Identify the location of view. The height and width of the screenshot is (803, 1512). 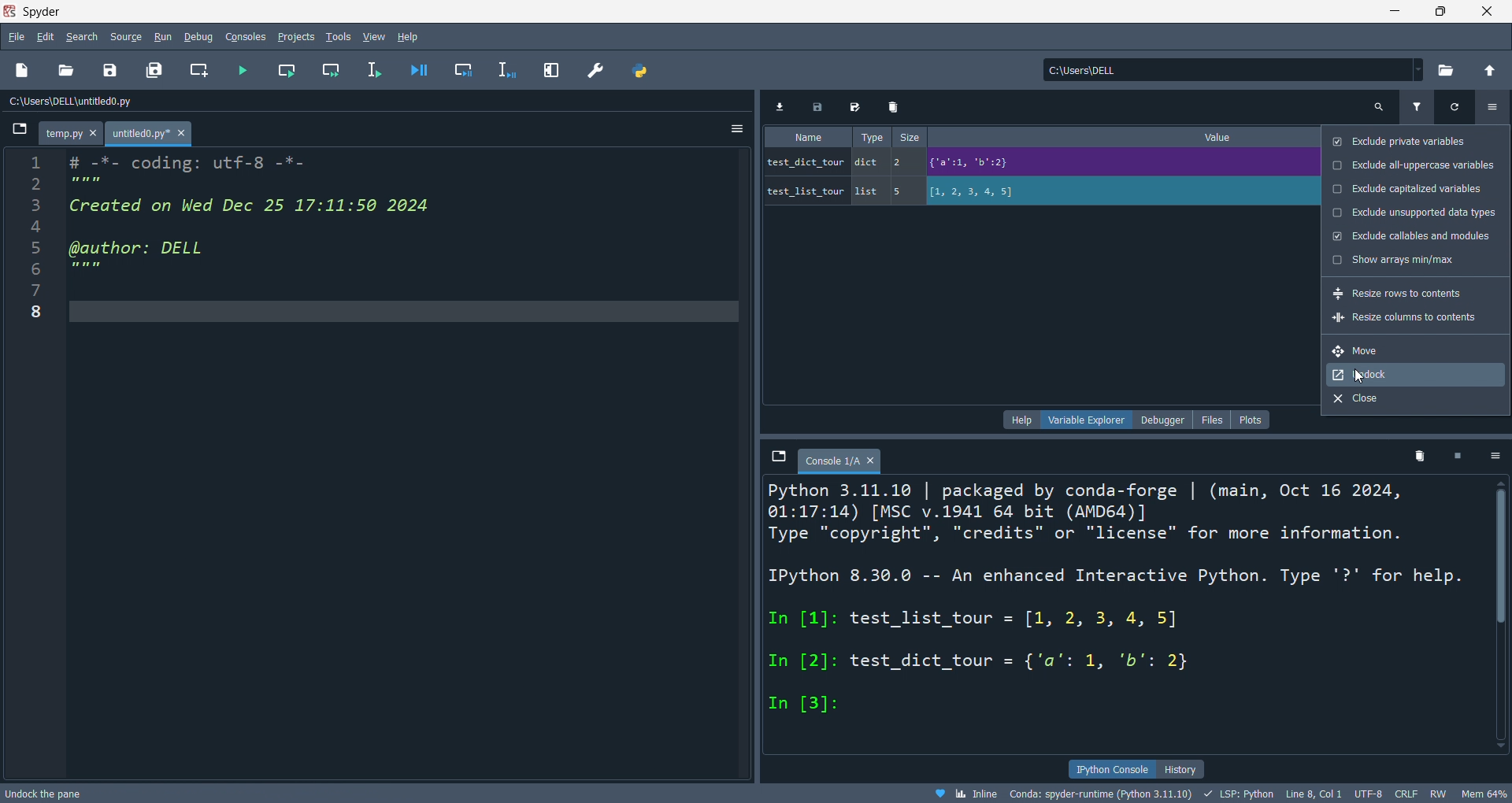
(372, 35).